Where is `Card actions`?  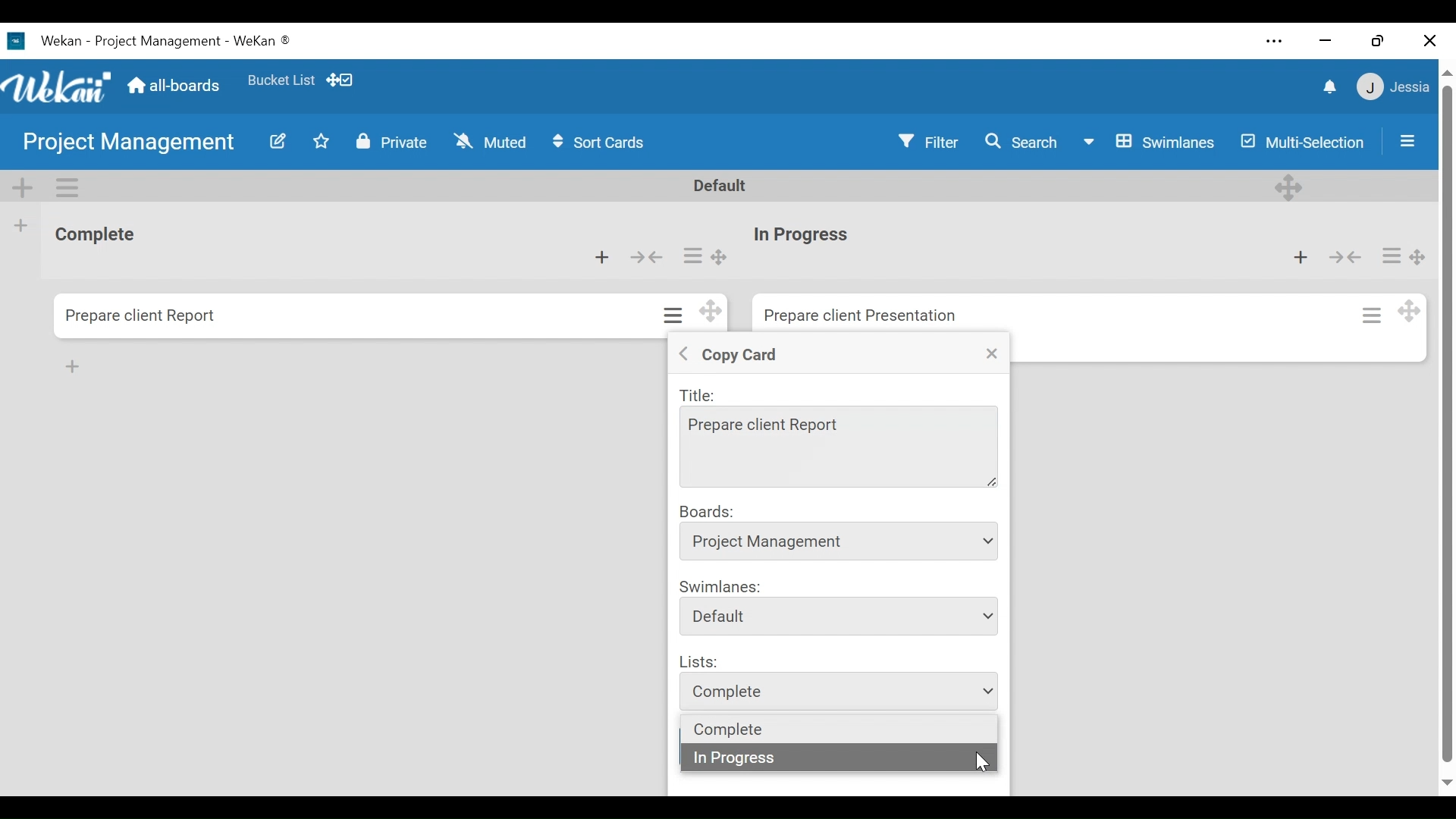
Card actions is located at coordinates (1371, 312).